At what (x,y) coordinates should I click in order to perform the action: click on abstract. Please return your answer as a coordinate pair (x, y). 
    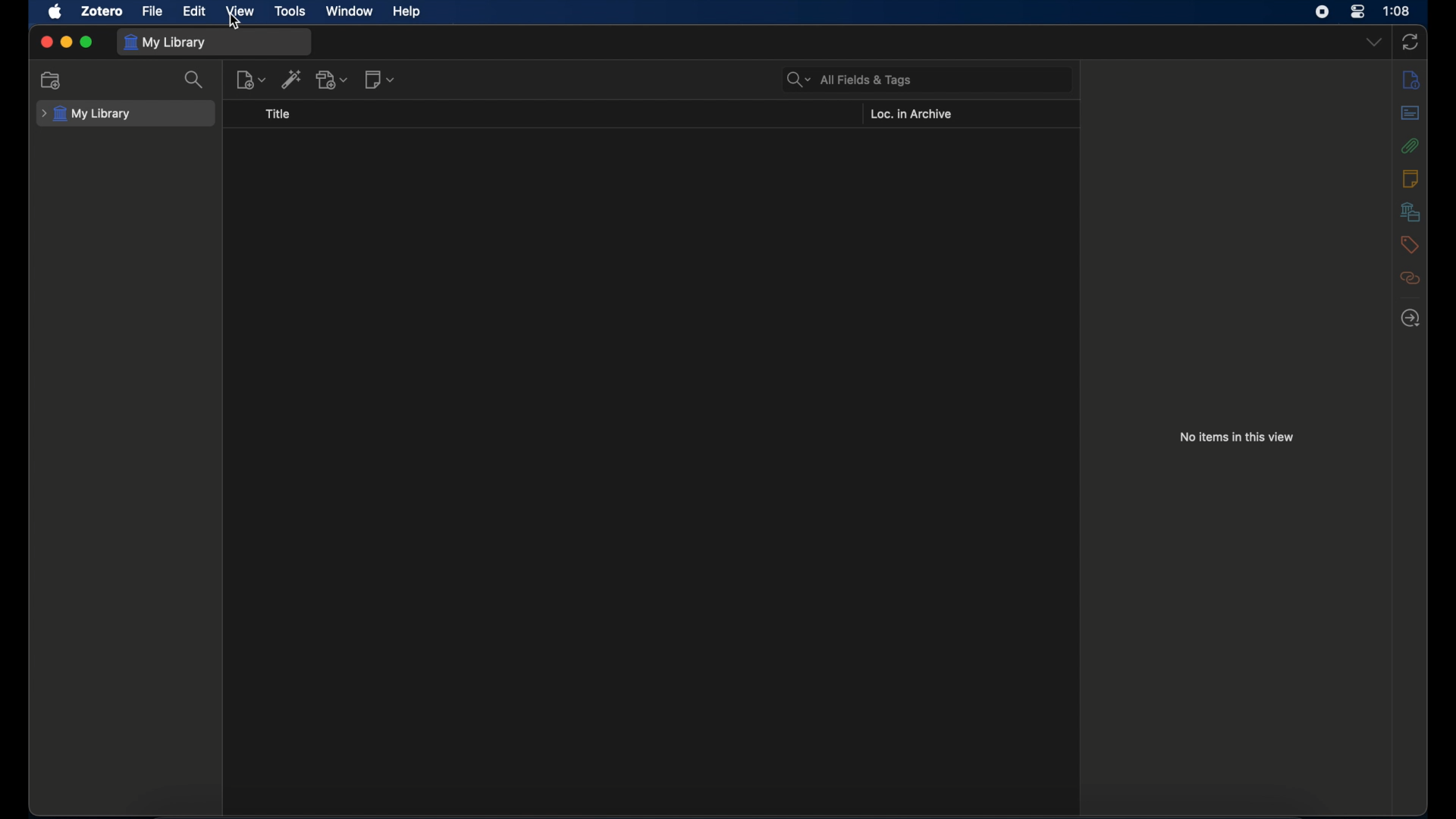
    Looking at the image, I should click on (1410, 113).